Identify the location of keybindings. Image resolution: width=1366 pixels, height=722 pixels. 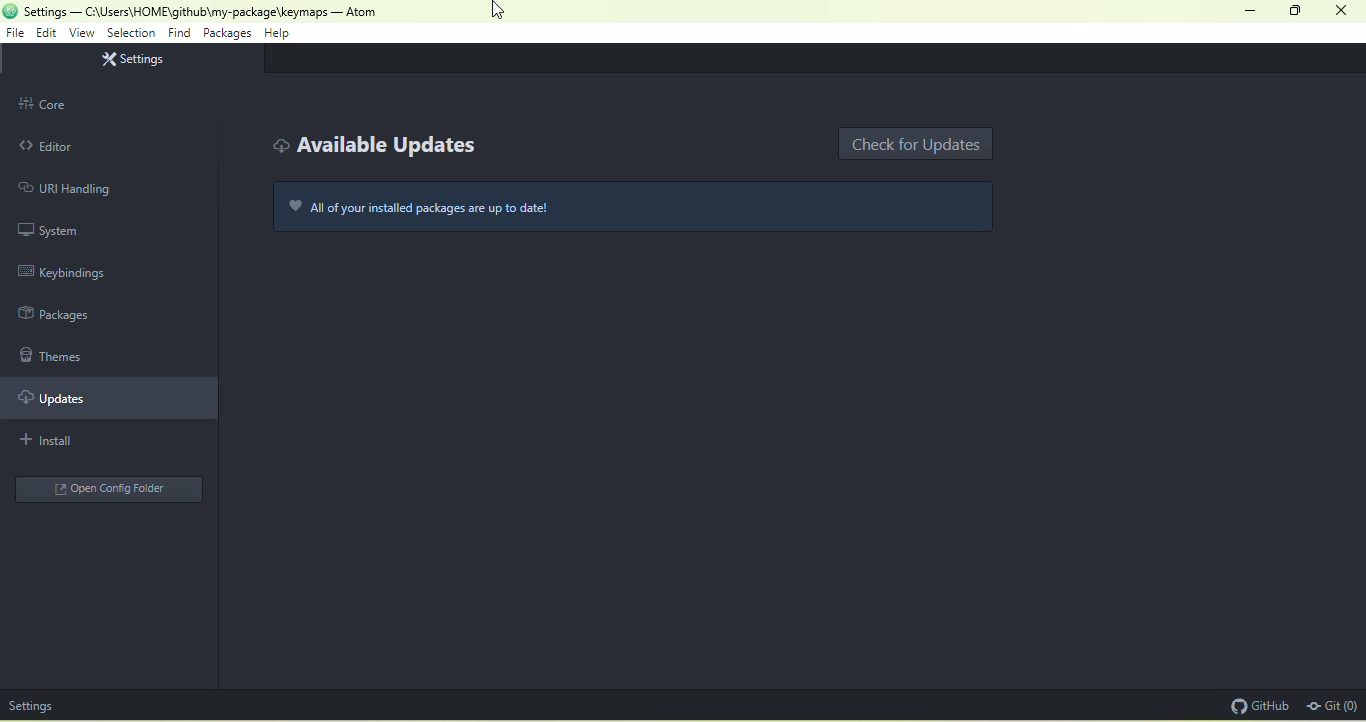
(70, 271).